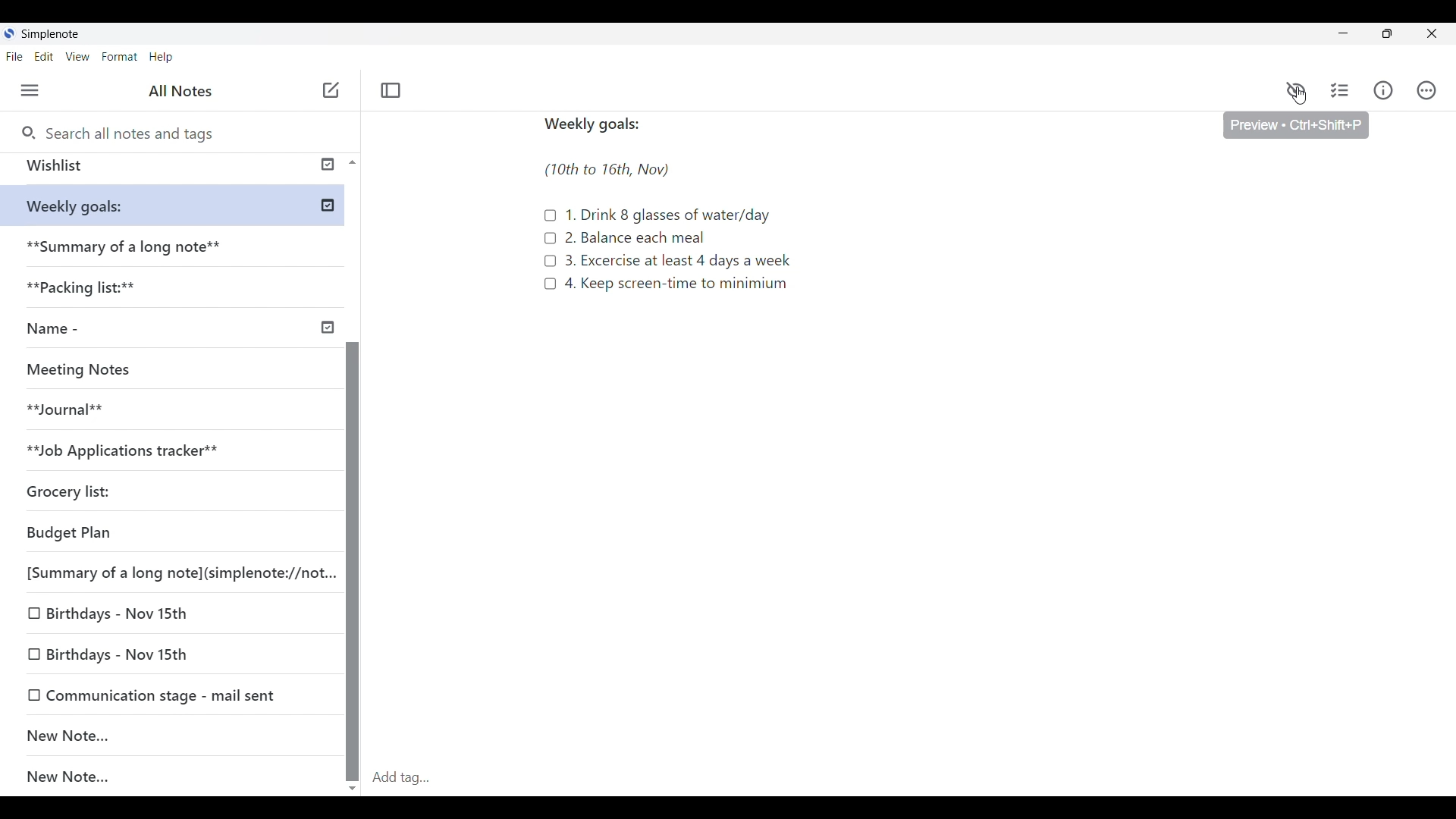  Describe the element at coordinates (120, 56) in the screenshot. I see `Format` at that location.